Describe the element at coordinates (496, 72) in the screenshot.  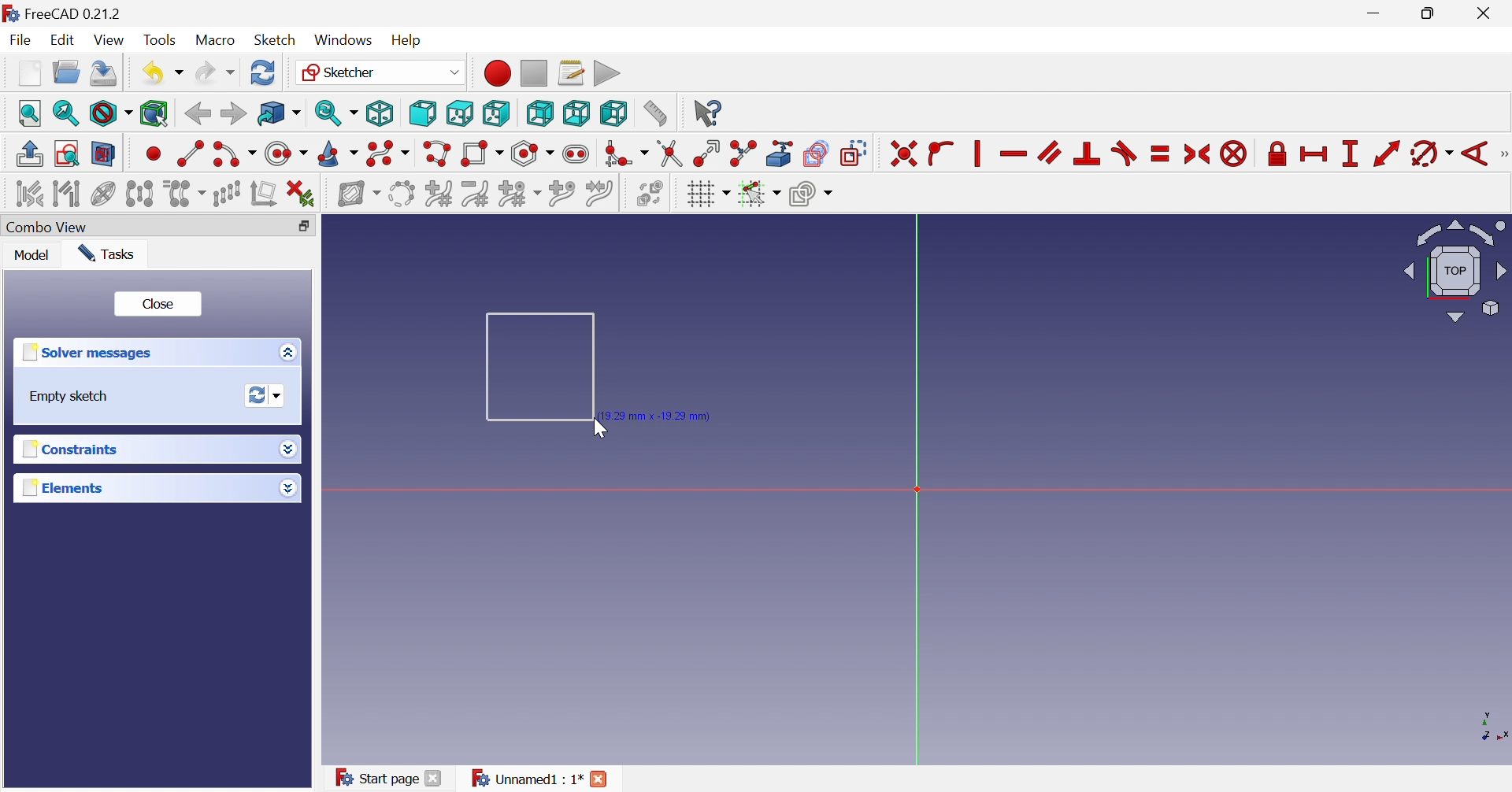
I see `Macro recording...` at that location.